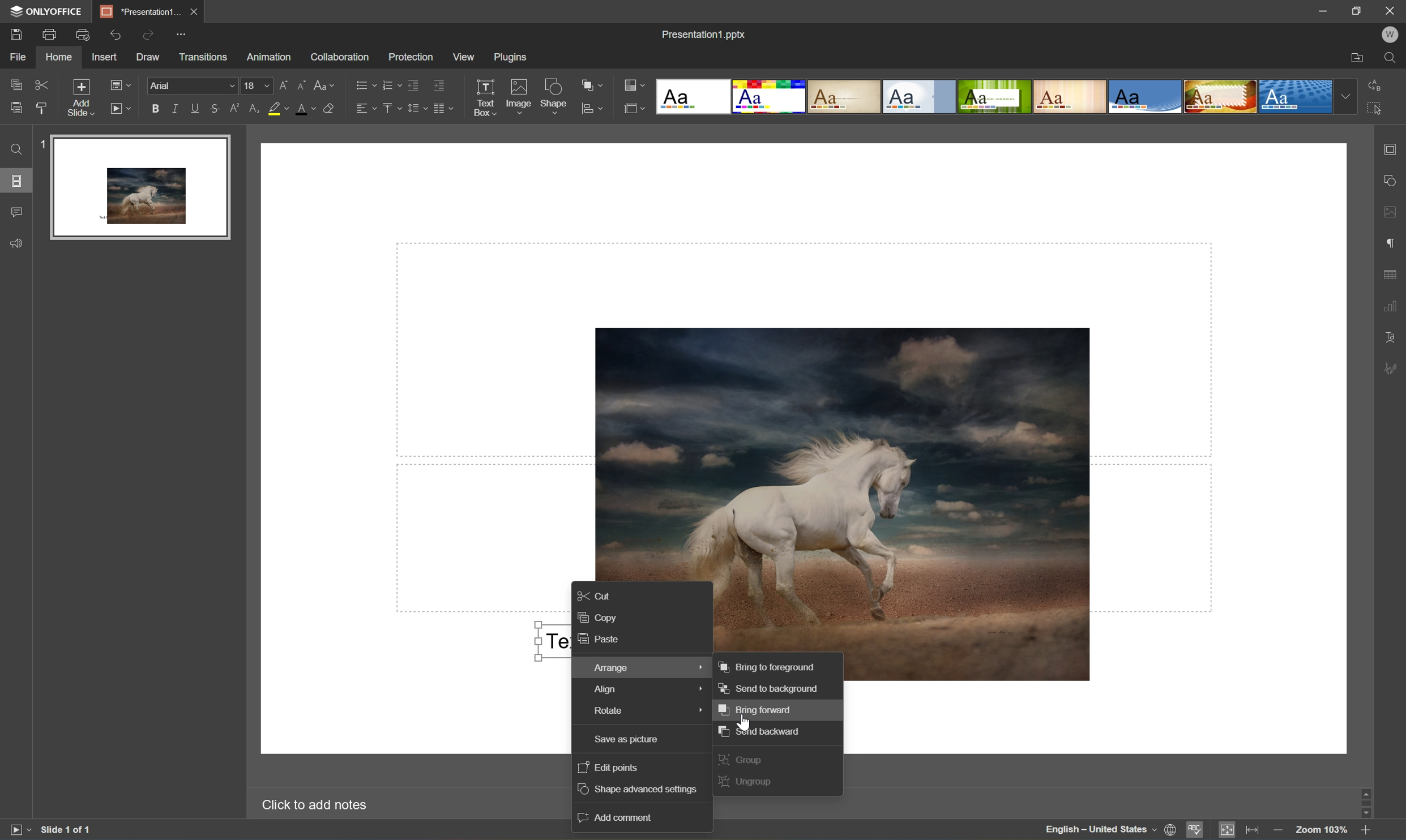  Describe the element at coordinates (639, 713) in the screenshot. I see `Rotate` at that location.